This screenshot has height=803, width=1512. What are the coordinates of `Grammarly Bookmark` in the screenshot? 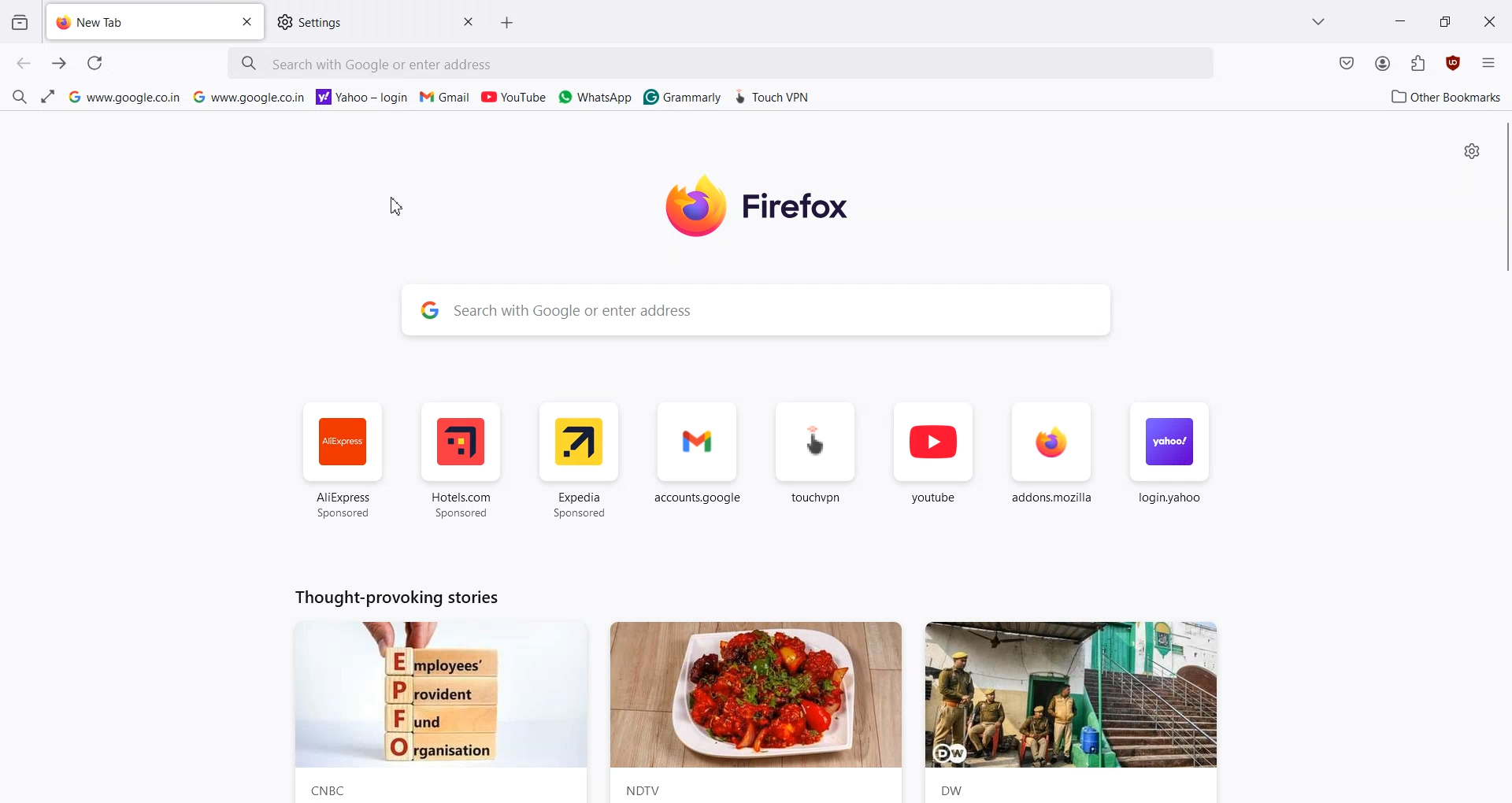 It's located at (681, 95).